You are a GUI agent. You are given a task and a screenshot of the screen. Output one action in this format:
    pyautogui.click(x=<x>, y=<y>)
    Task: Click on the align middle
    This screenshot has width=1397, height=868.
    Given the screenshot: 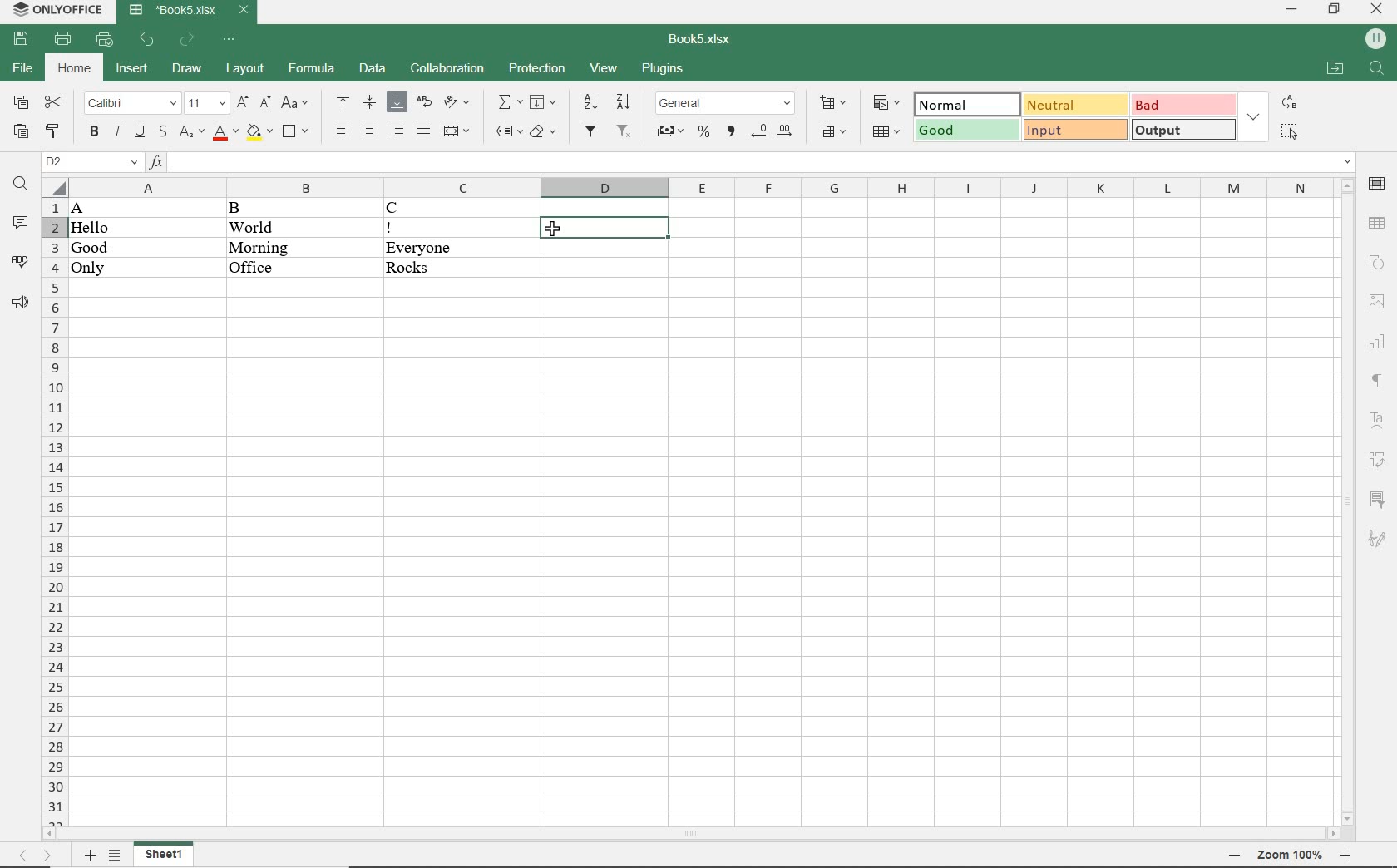 What is the action you would take?
    pyautogui.click(x=370, y=104)
    